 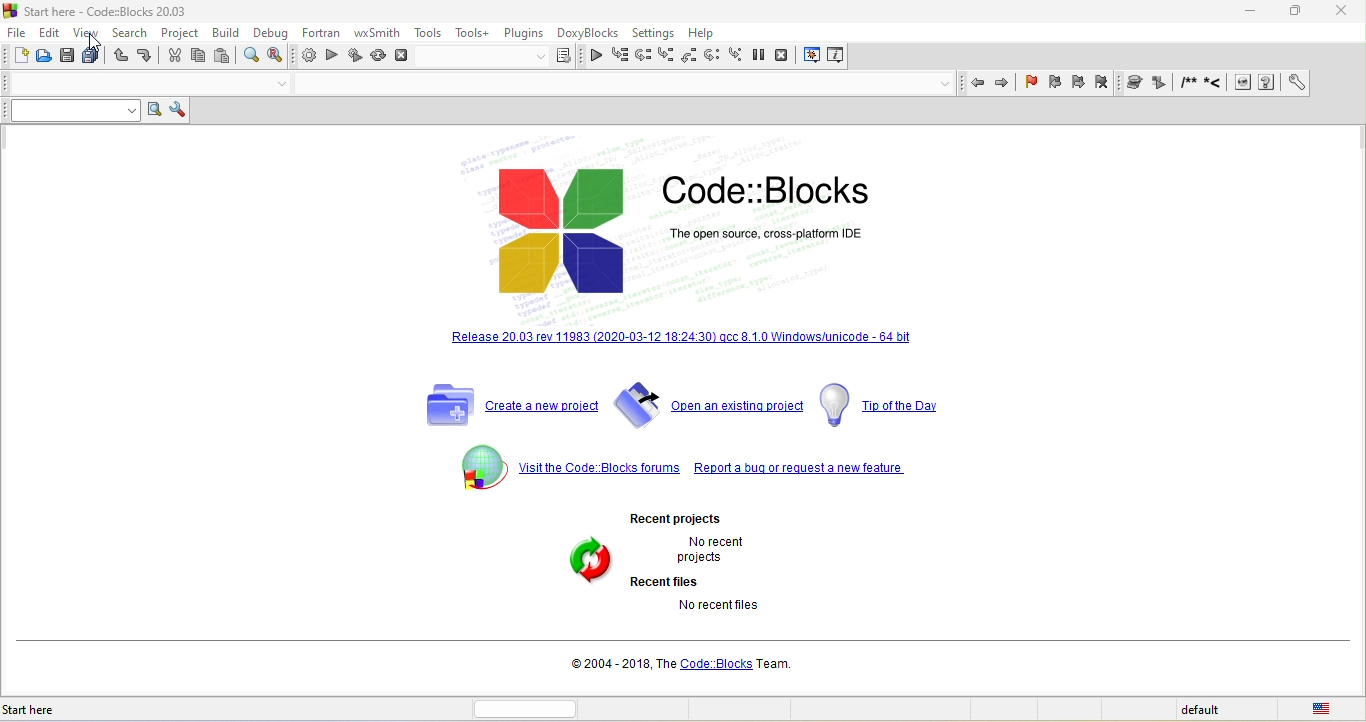 I want to click on start here-code blocks-2023, so click(x=117, y=11).